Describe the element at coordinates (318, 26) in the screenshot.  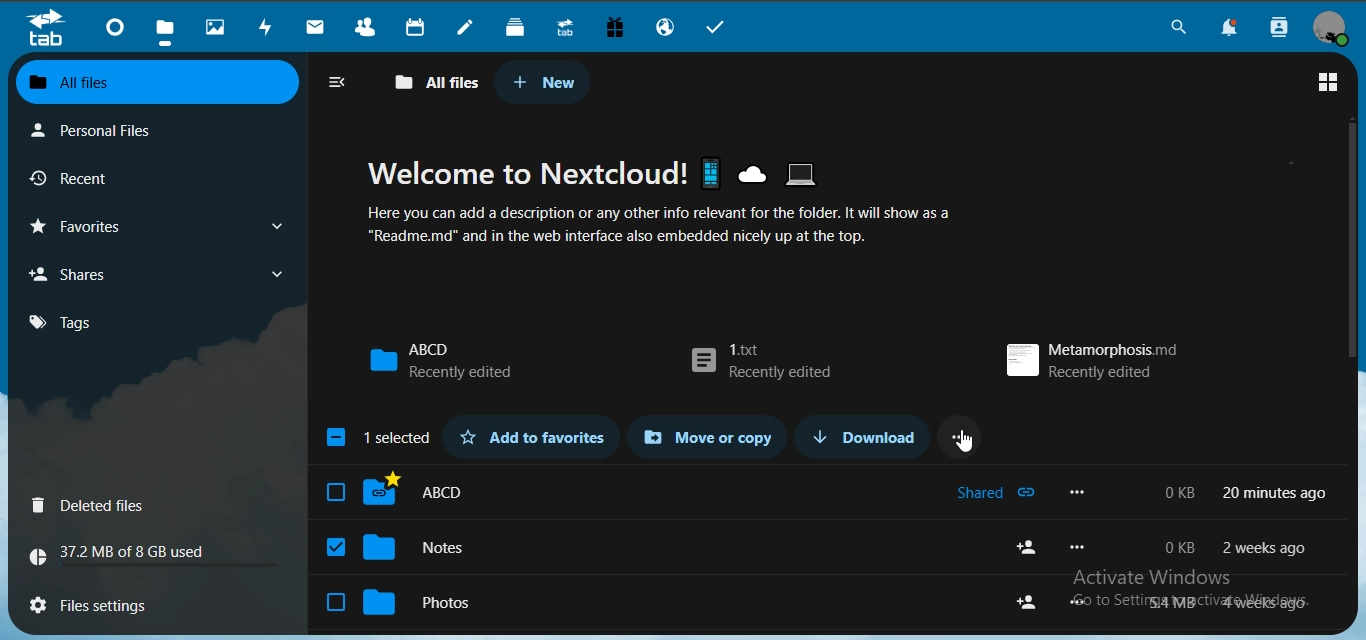
I see `mail` at that location.